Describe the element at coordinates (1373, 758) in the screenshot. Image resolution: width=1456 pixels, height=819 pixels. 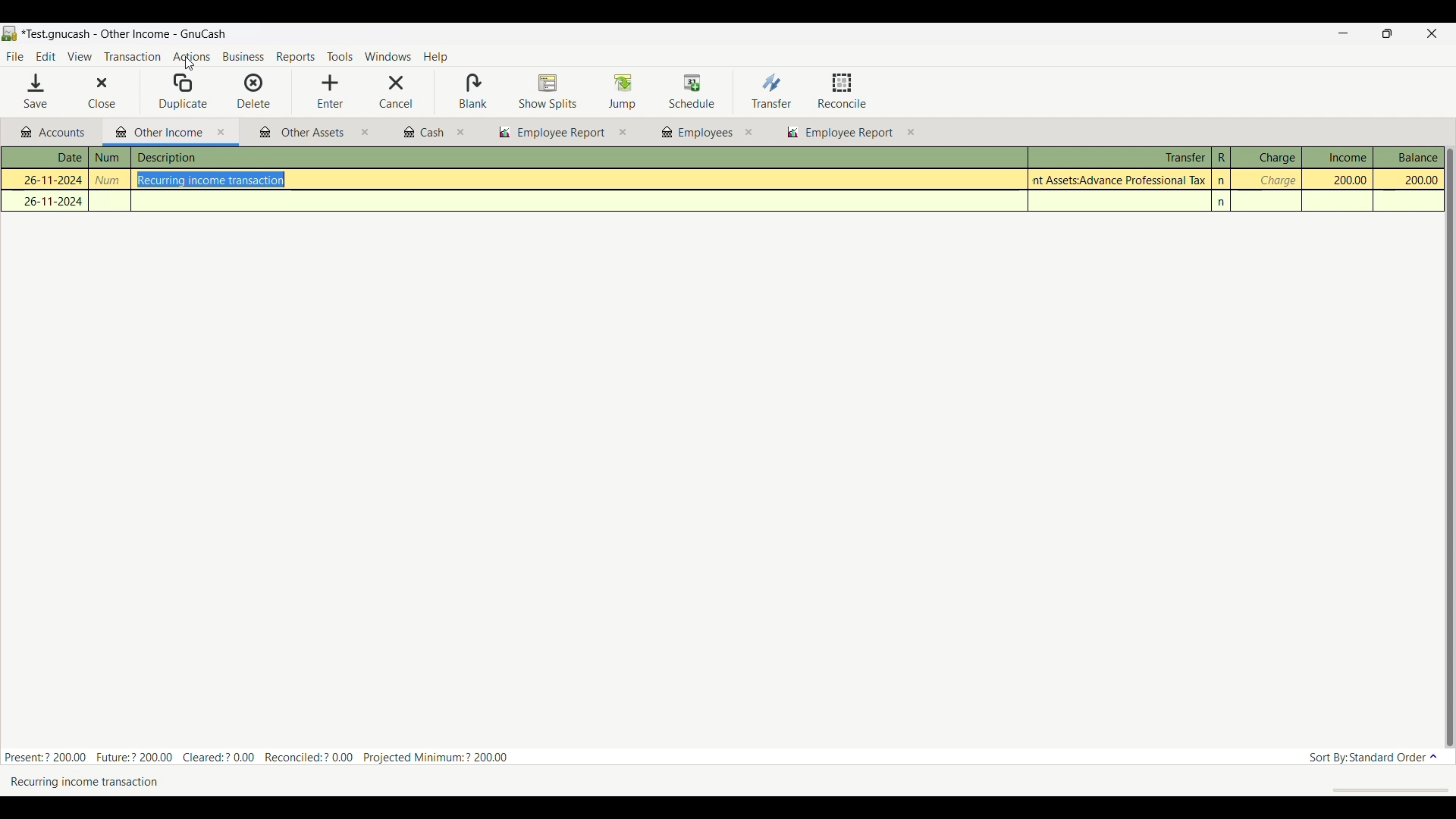
I see `Sort order options` at that location.